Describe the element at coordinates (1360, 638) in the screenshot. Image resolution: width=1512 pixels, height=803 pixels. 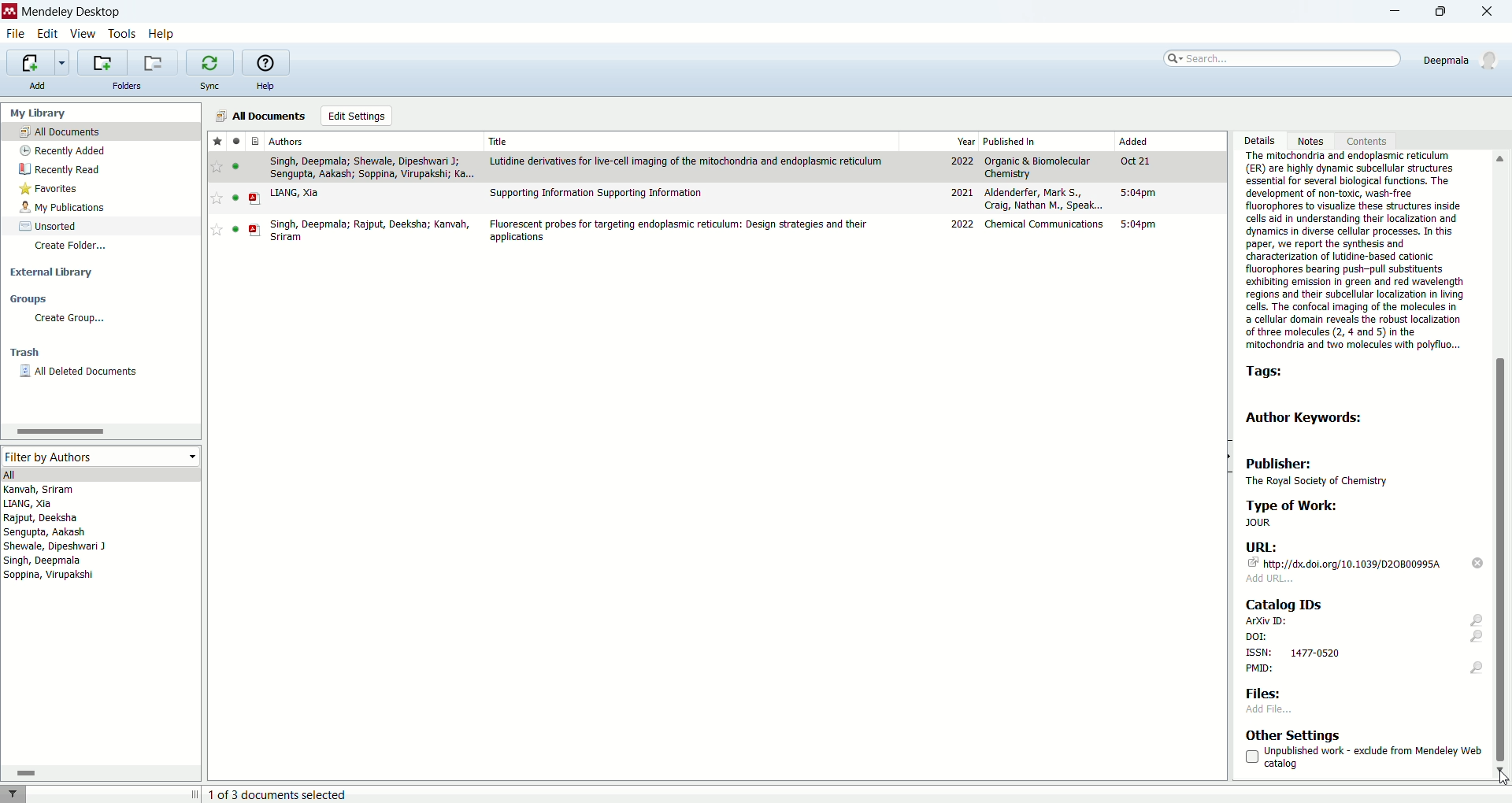
I see `DOI: ` at that location.